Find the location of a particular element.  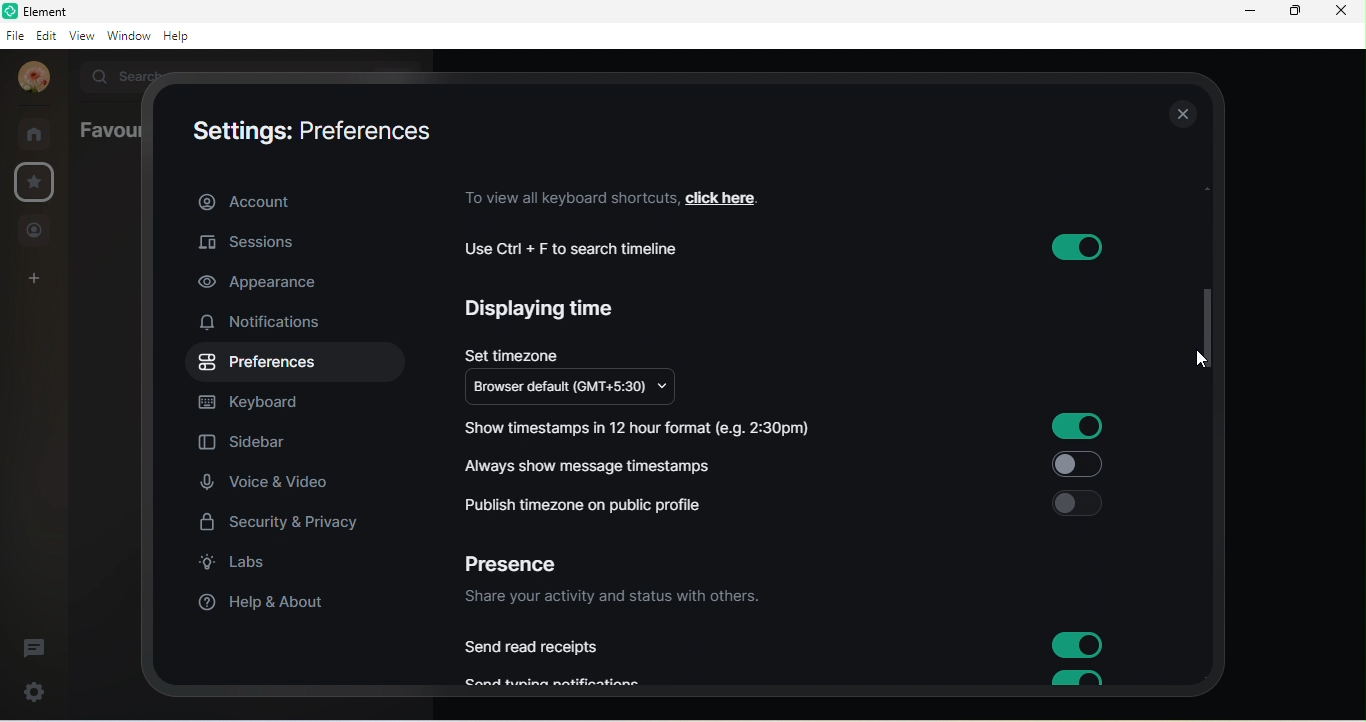

close is located at coordinates (1346, 14).